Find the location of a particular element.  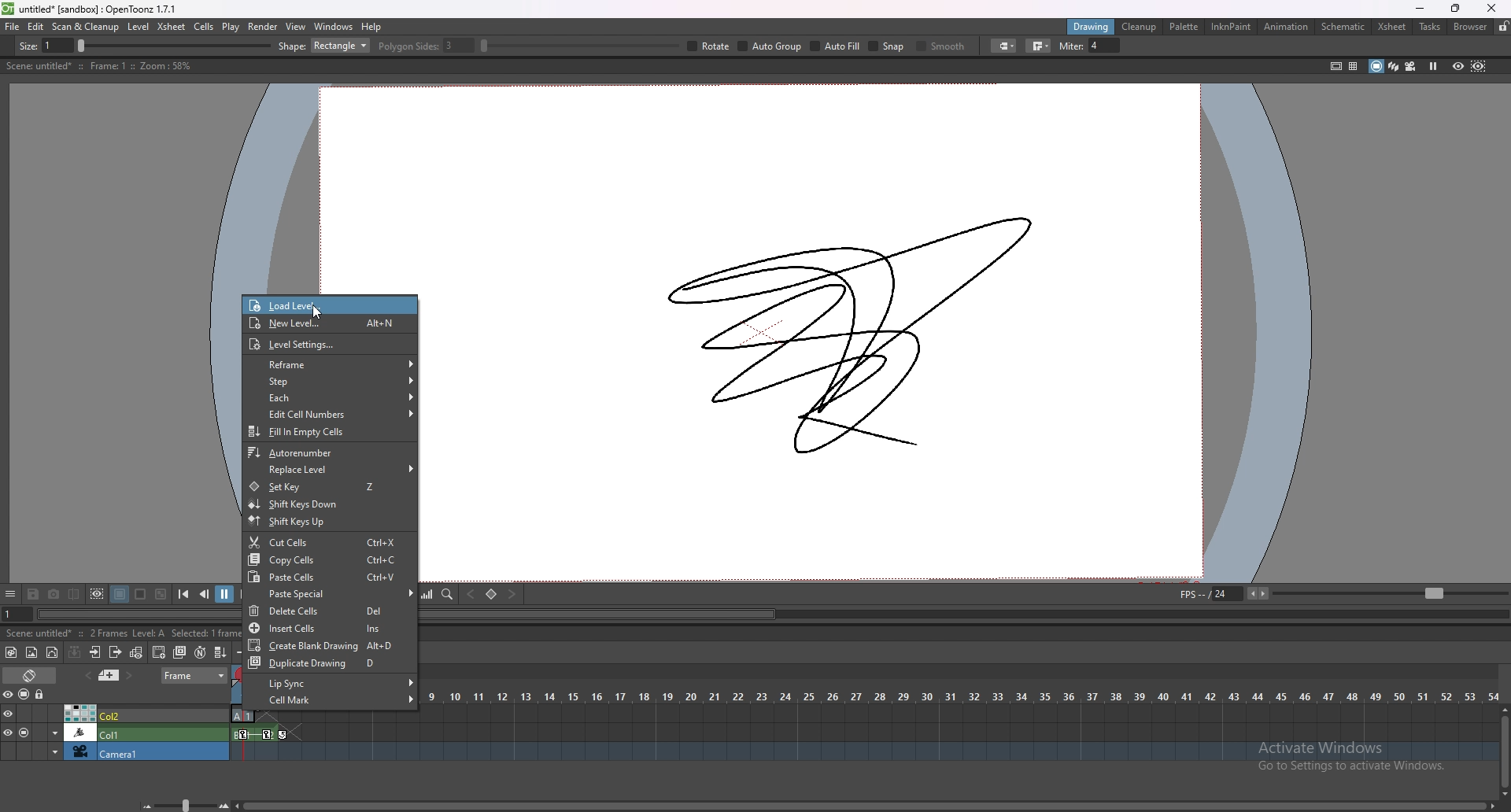

previous key is located at coordinates (469, 595).